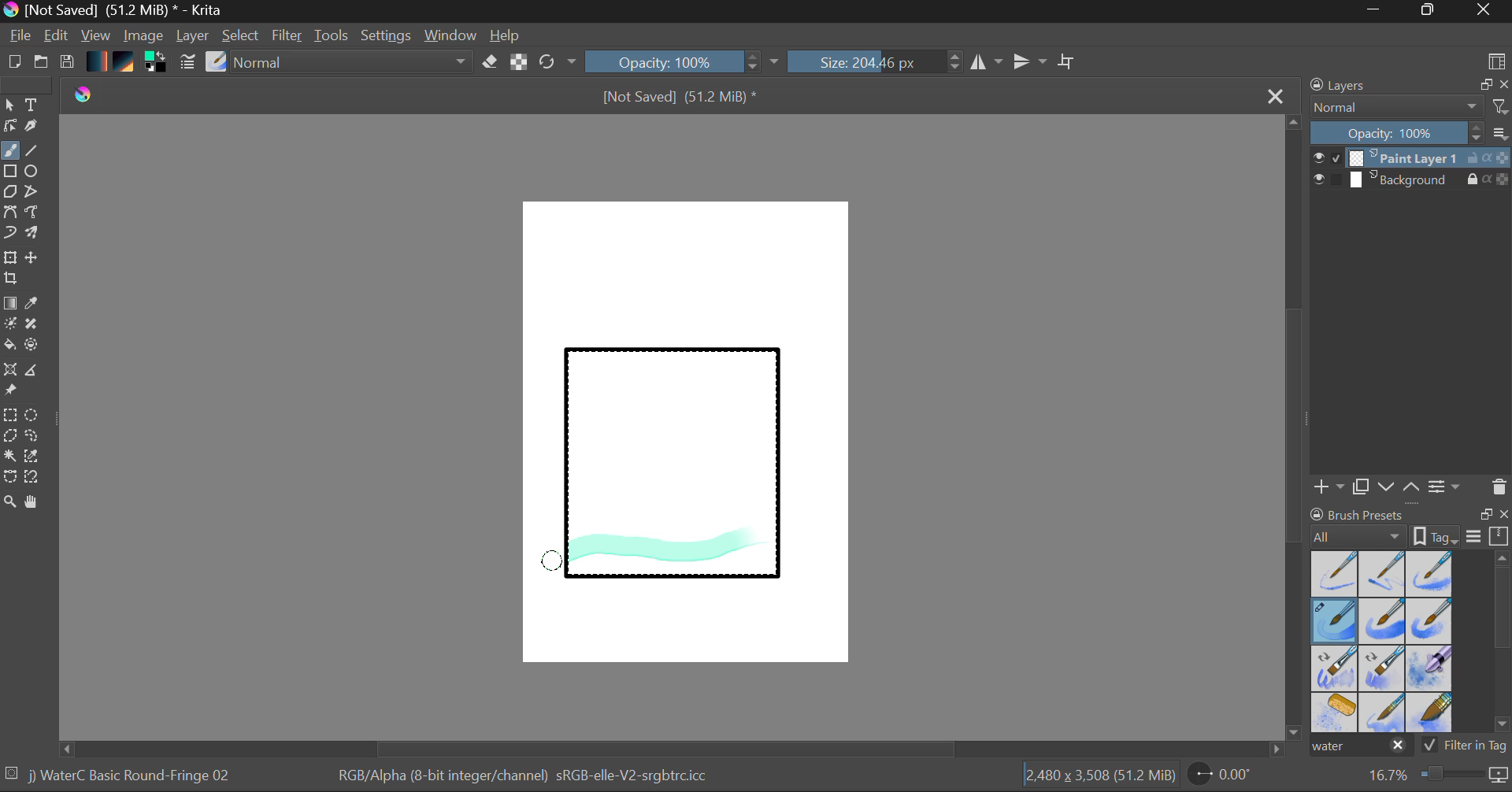 Image resolution: width=1512 pixels, height=792 pixels. What do you see at coordinates (1384, 574) in the screenshot?
I see `Water C - Wet` at bounding box center [1384, 574].